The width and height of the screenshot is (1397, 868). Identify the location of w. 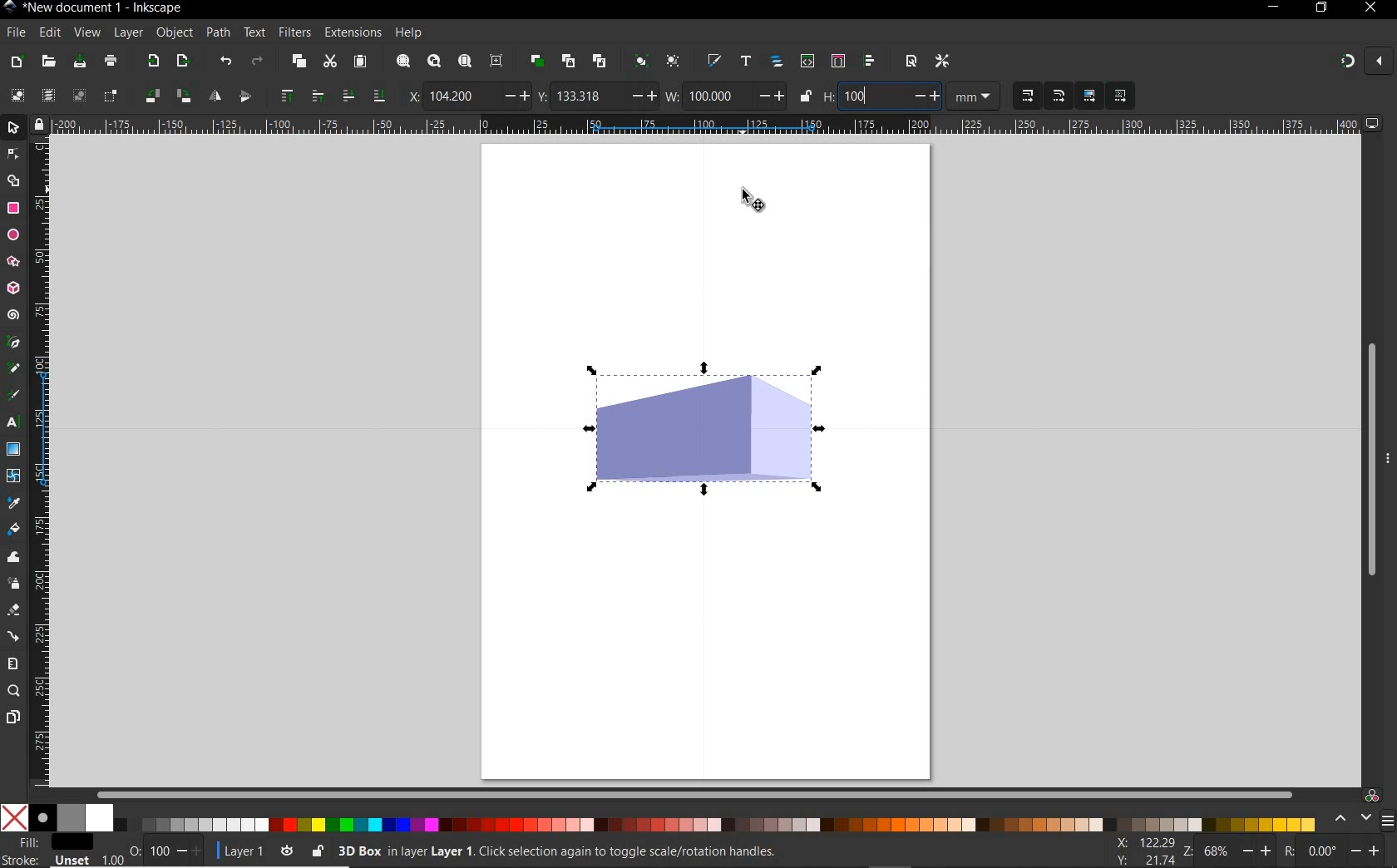
(672, 96).